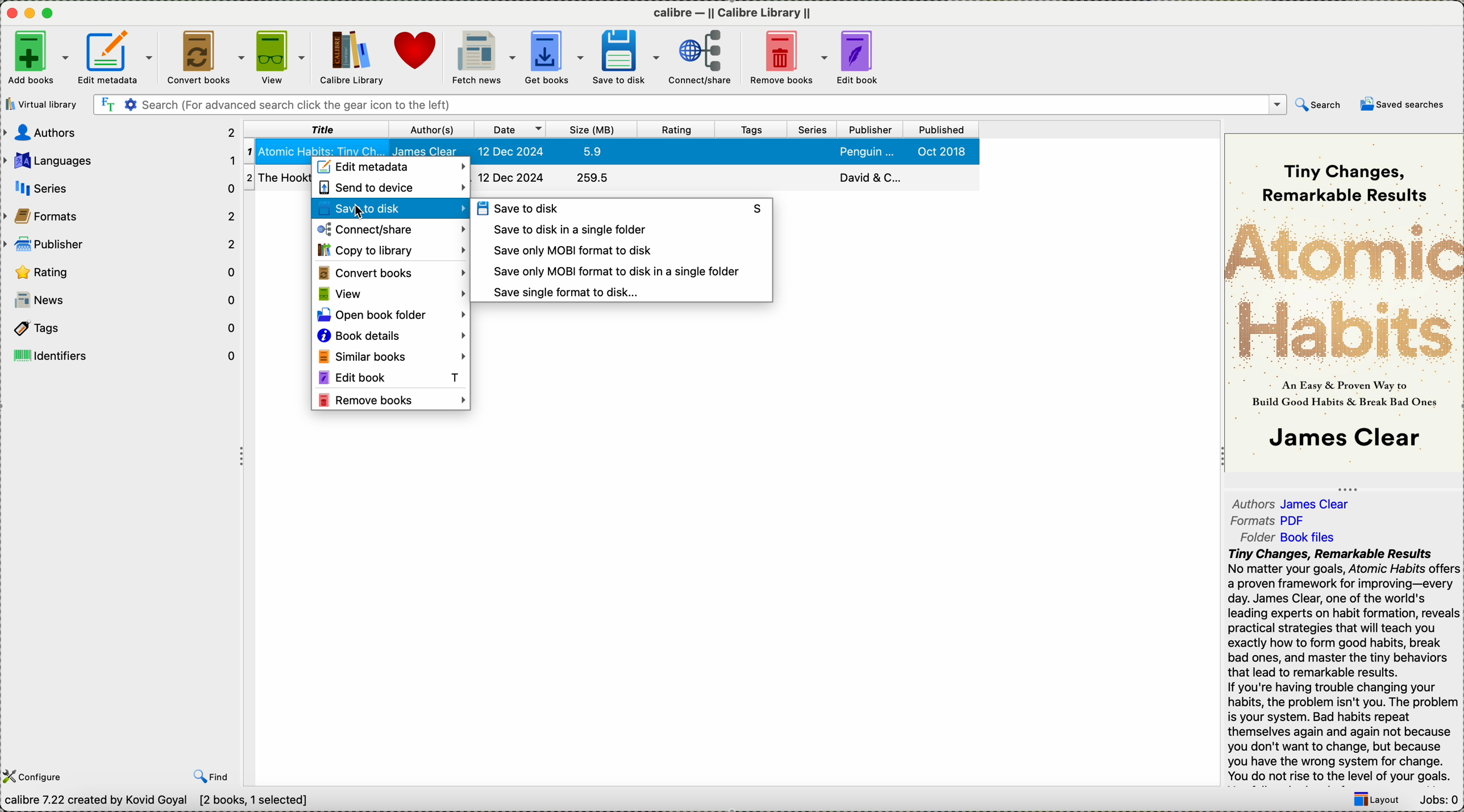 This screenshot has width=1464, height=812. Describe the element at coordinates (569, 229) in the screenshot. I see `save to disk in a single folder` at that location.